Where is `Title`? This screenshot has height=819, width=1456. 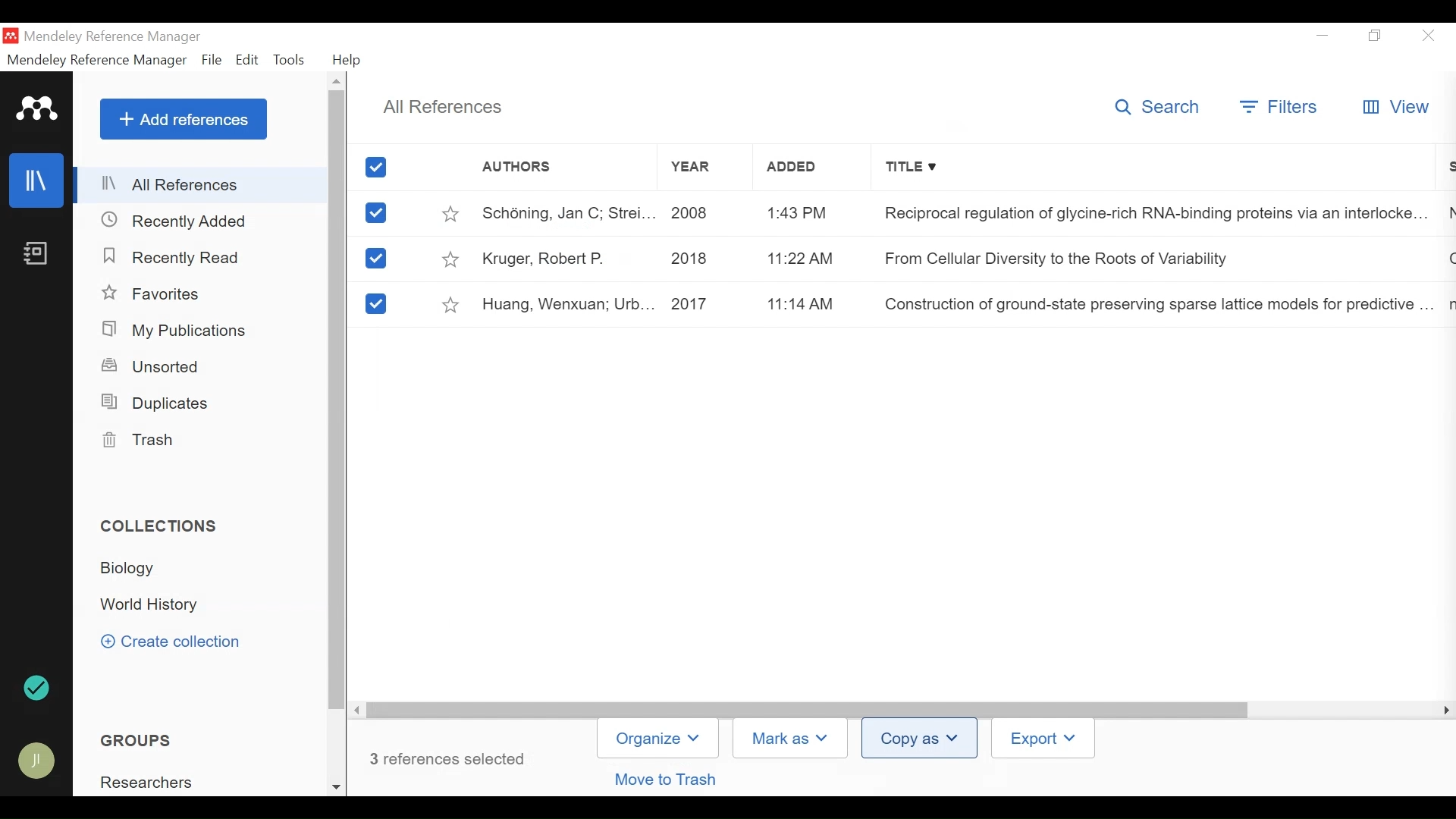
Title is located at coordinates (1150, 170).